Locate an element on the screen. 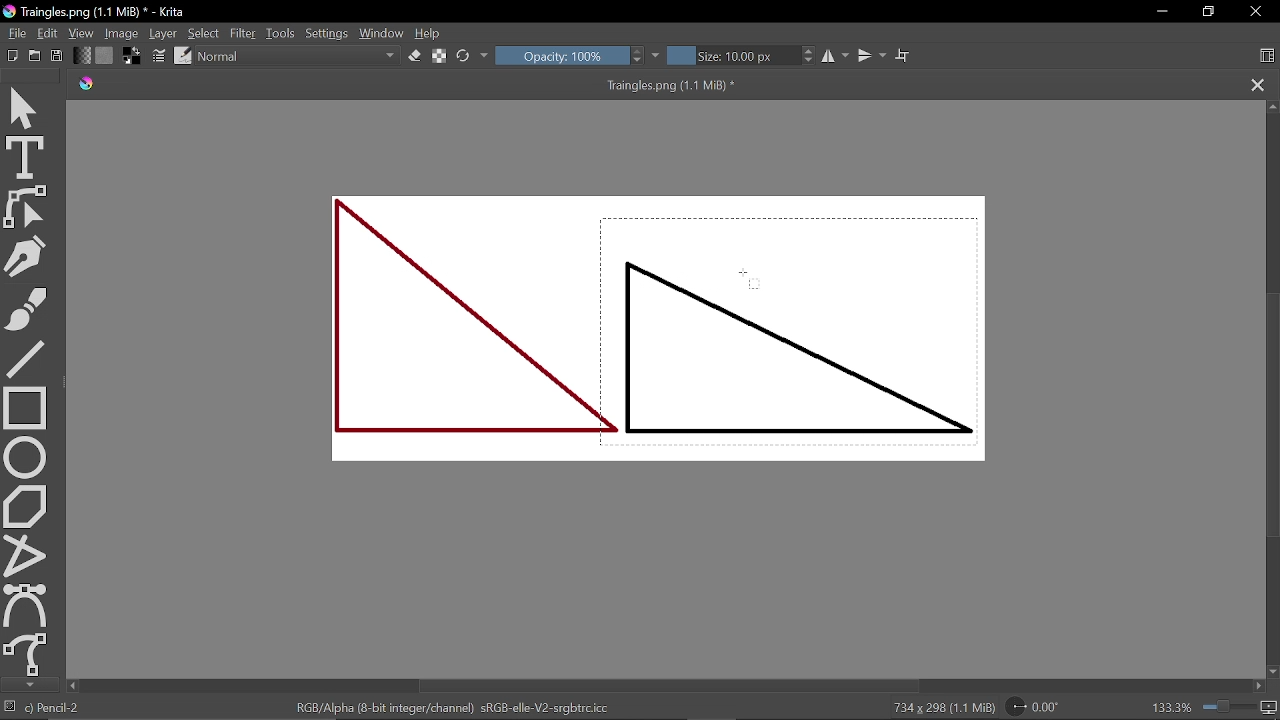  View is located at coordinates (82, 33).